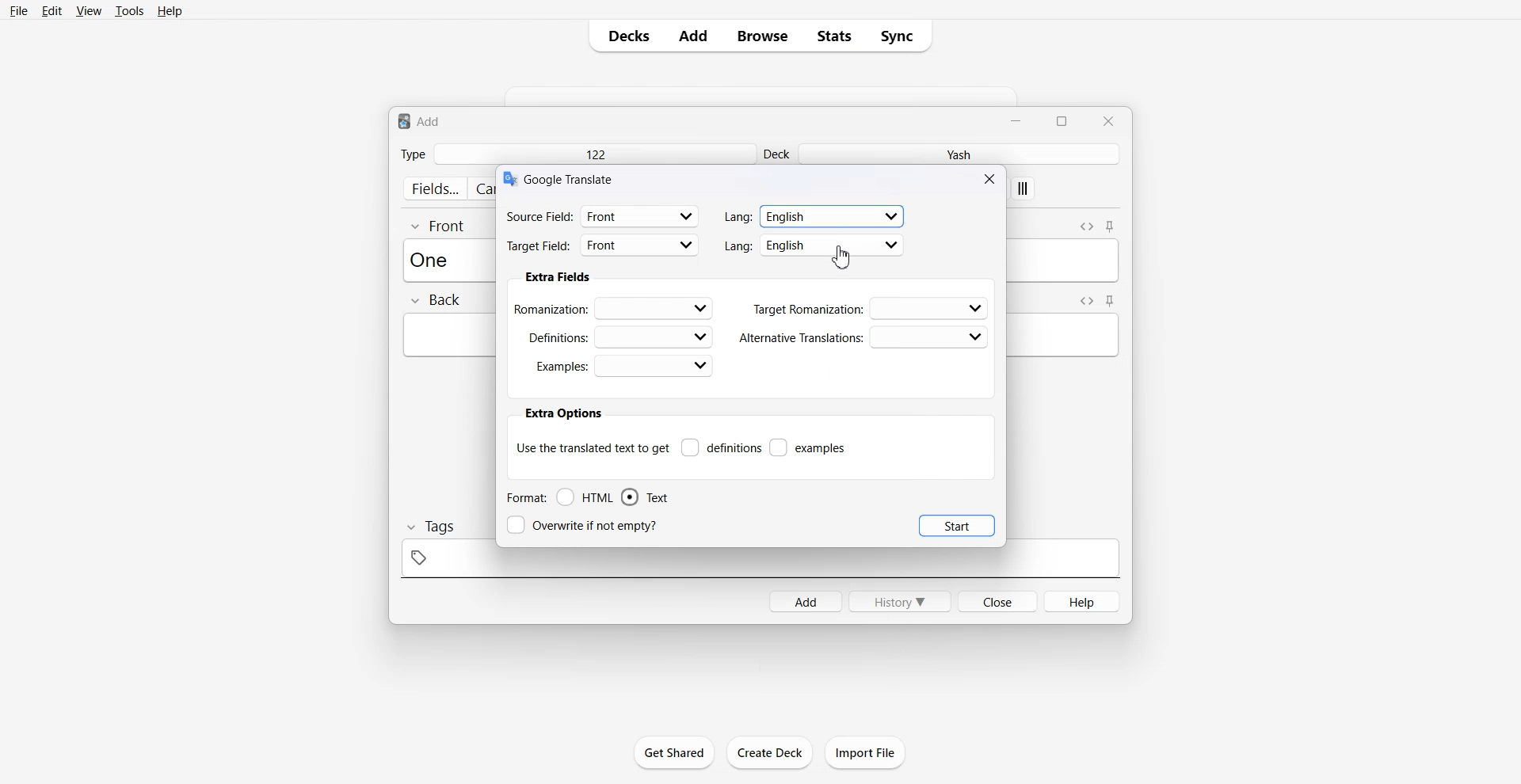 This screenshot has height=784, width=1521. Describe the element at coordinates (842, 257) in the screenshot. I see `Cursor` at that location.